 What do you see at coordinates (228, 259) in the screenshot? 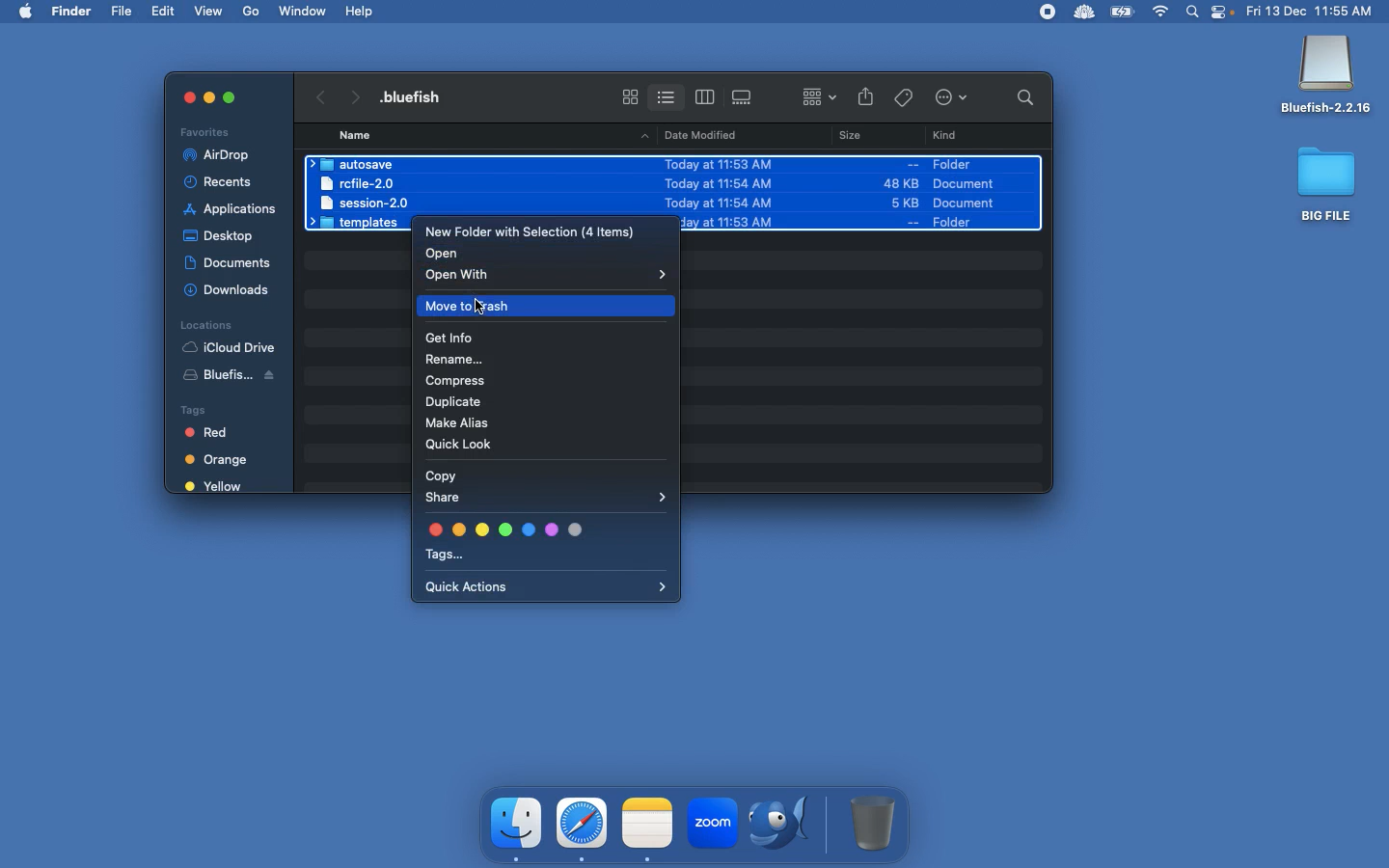
I see `documents` at bounding box center [228, 259].